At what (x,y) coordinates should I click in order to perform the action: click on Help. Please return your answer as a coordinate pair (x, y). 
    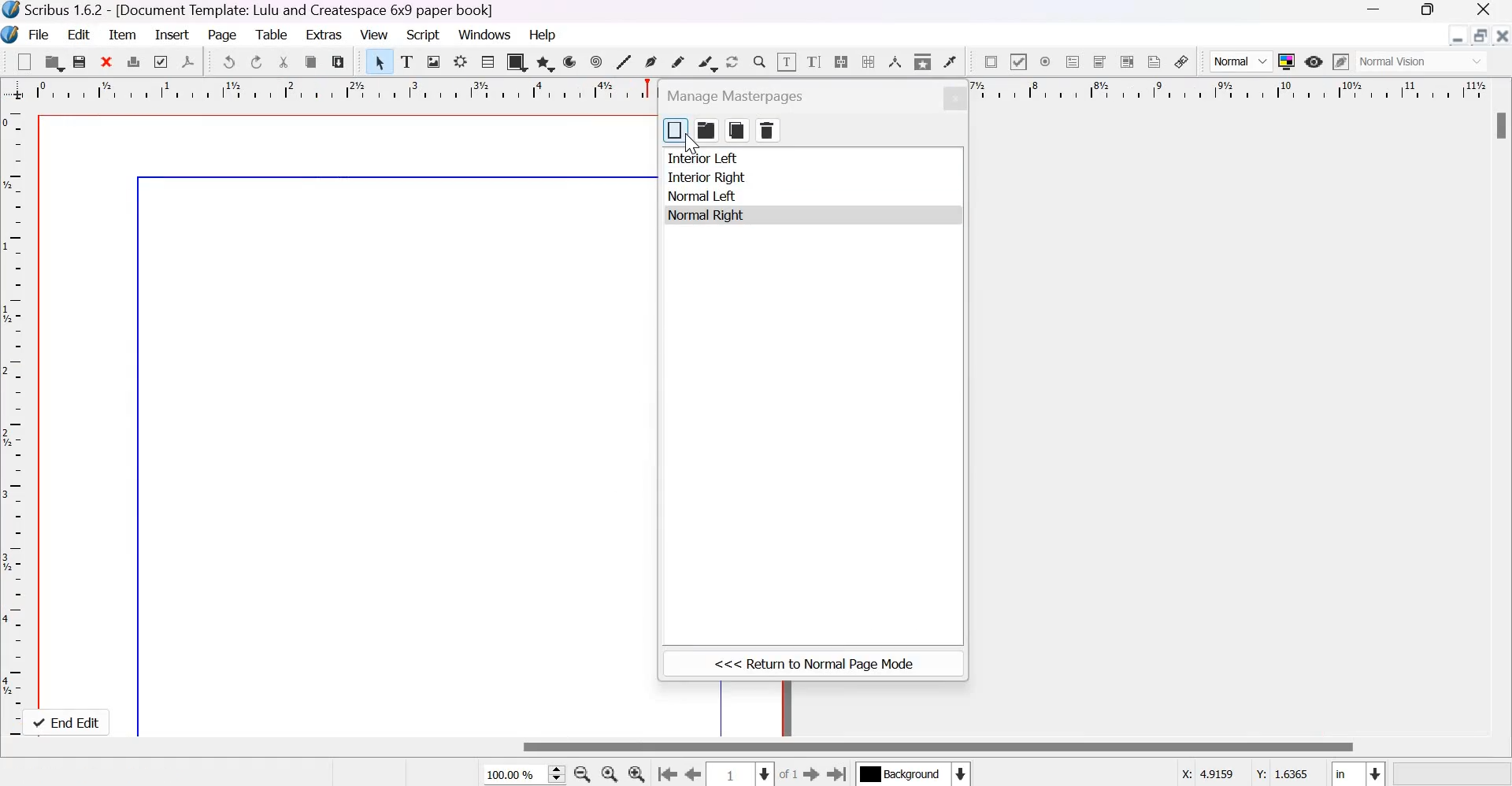
    Looking at the image, I should click on (544, 34).